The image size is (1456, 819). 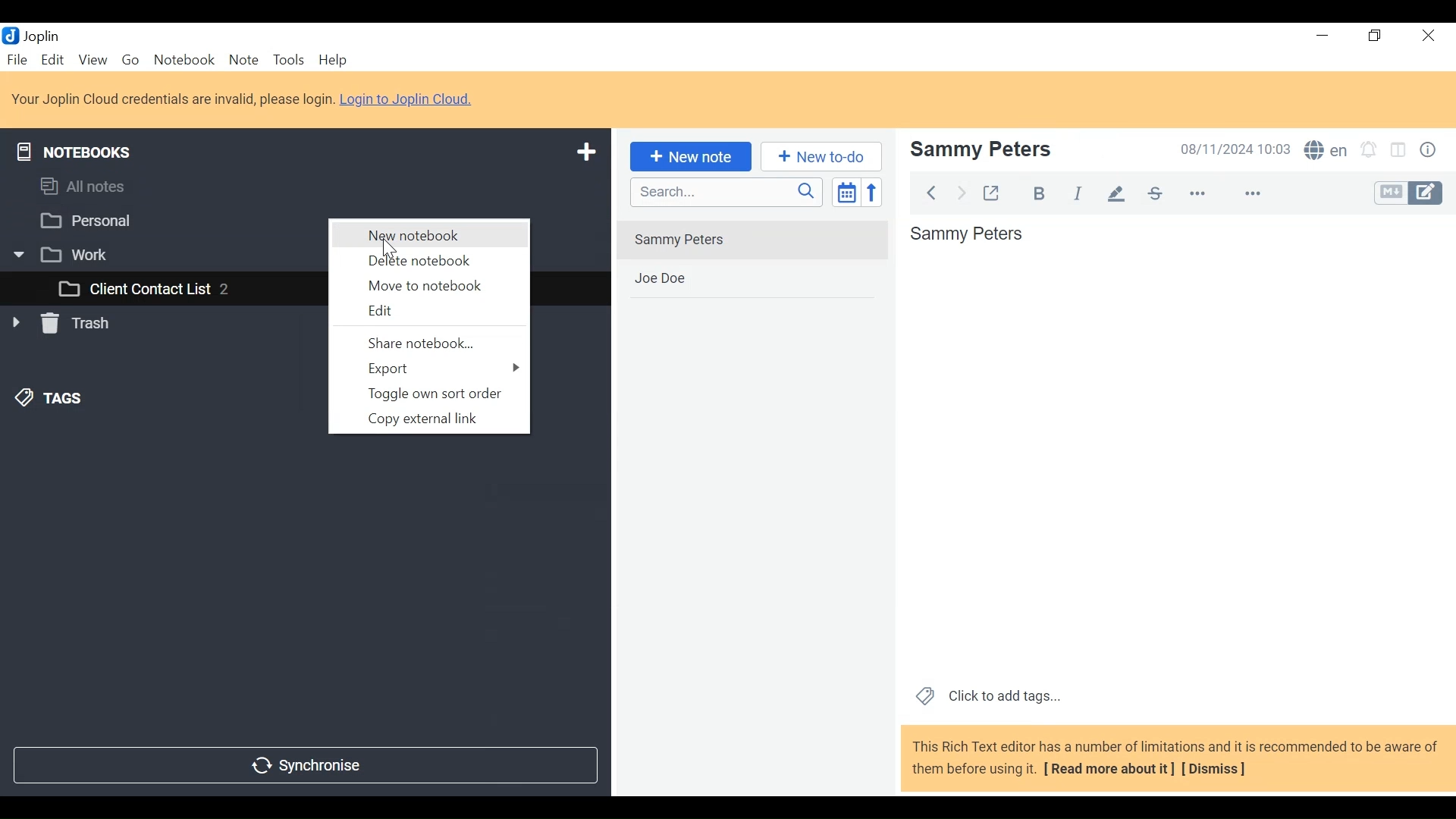 I want to click on Back, so click(x=930, y=193).